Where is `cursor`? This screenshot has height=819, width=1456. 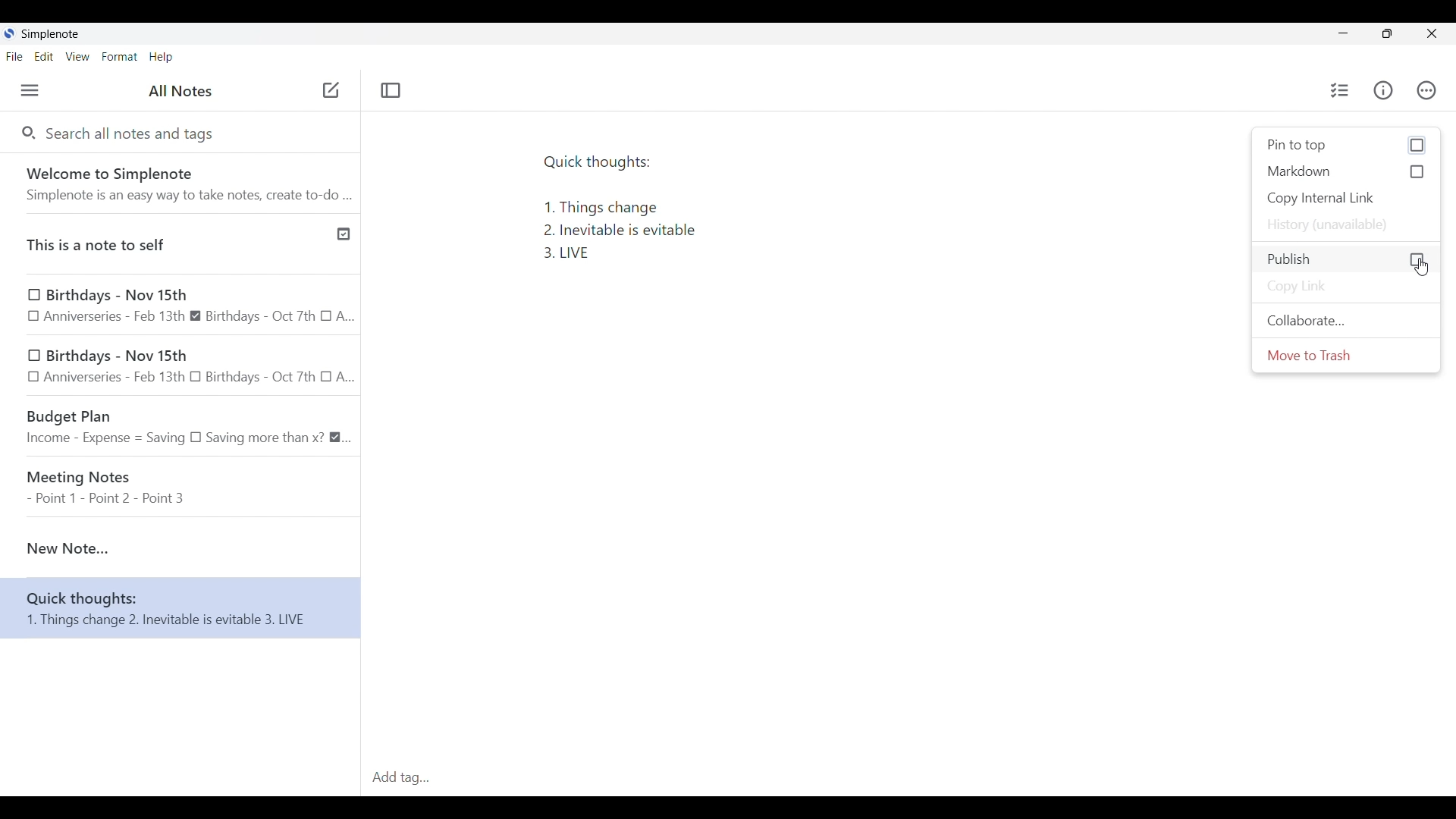 cursor is located at coordinates (329, 89).